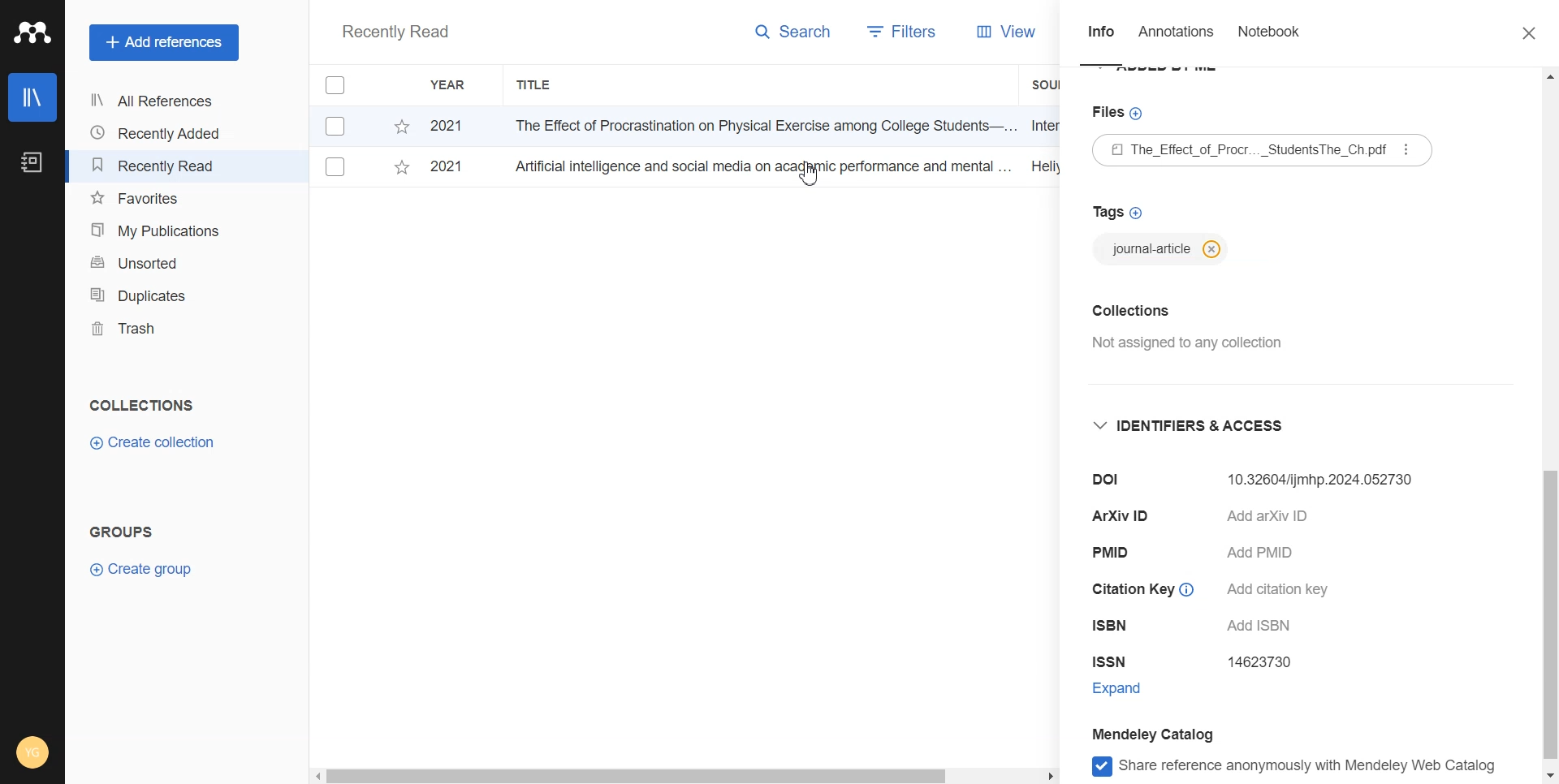  Describe the element at coordinates (1202, 627) in the screenshot. I see `ISBN Add ISBN` at that location.